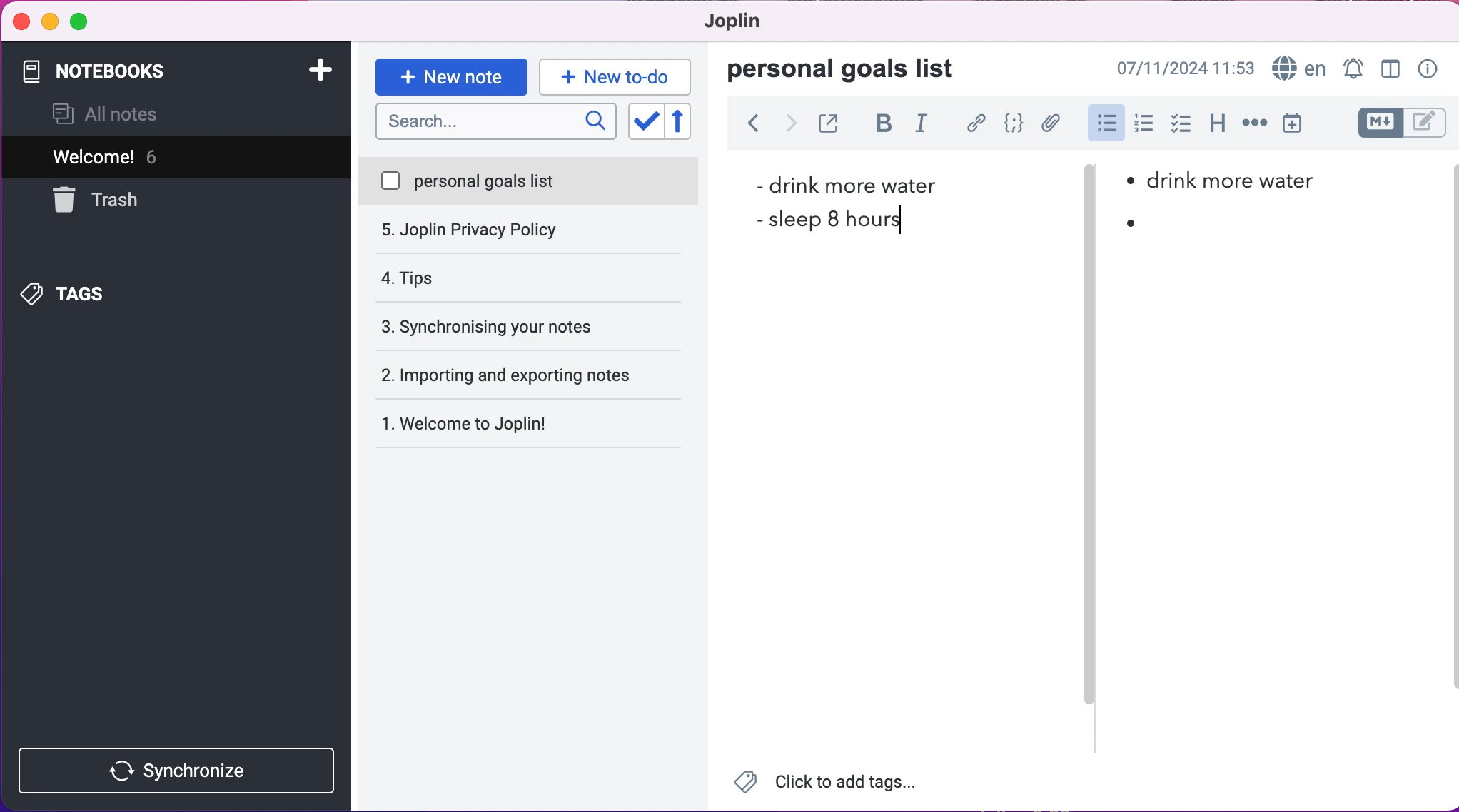  I want to click on welcome! 5, so click(158, 156).